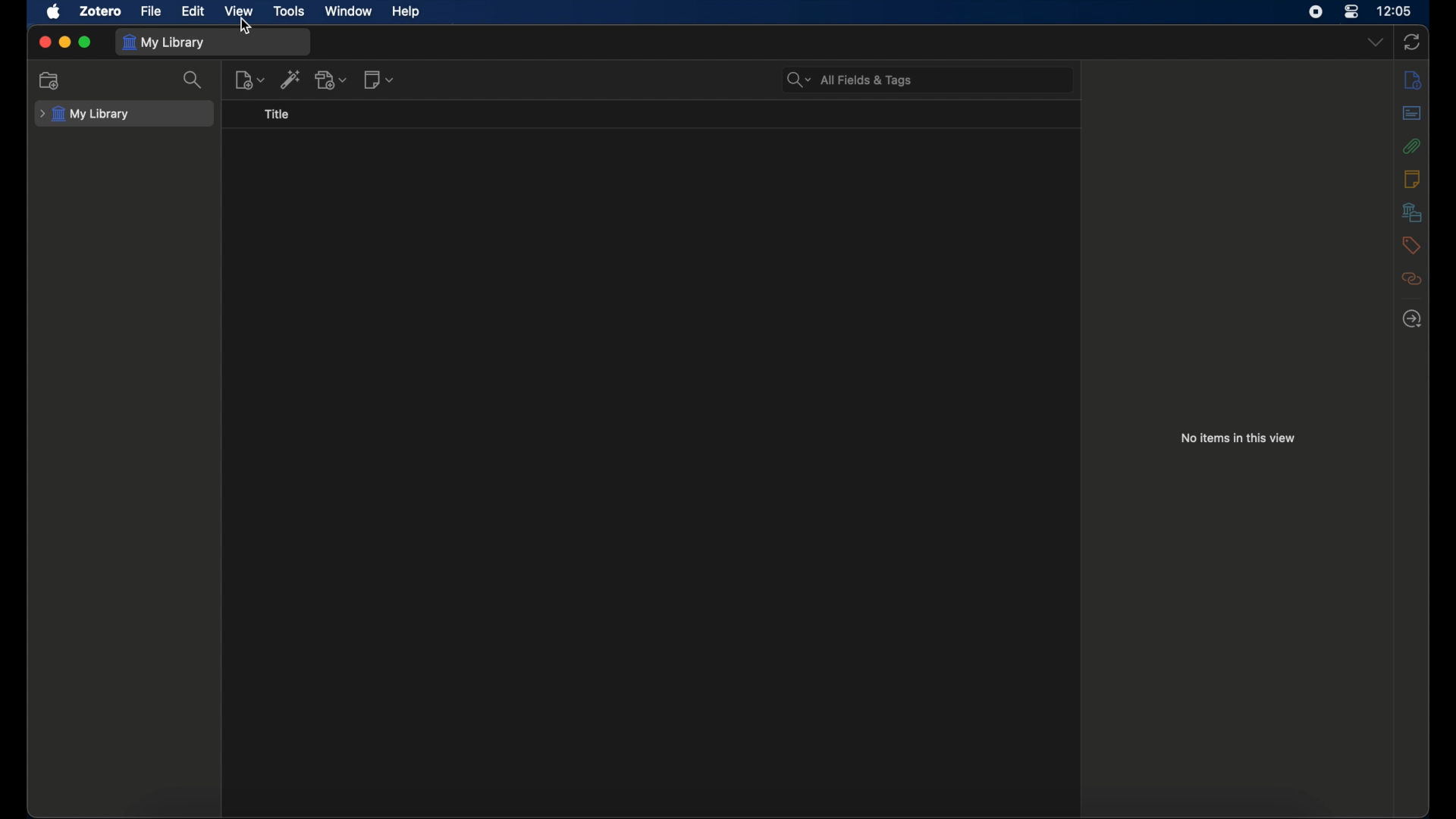 The height and width of the screenshot is (819, 1456). Describe the element at coordinates (55, 11) in the screenshot. I see `apple` at that location.